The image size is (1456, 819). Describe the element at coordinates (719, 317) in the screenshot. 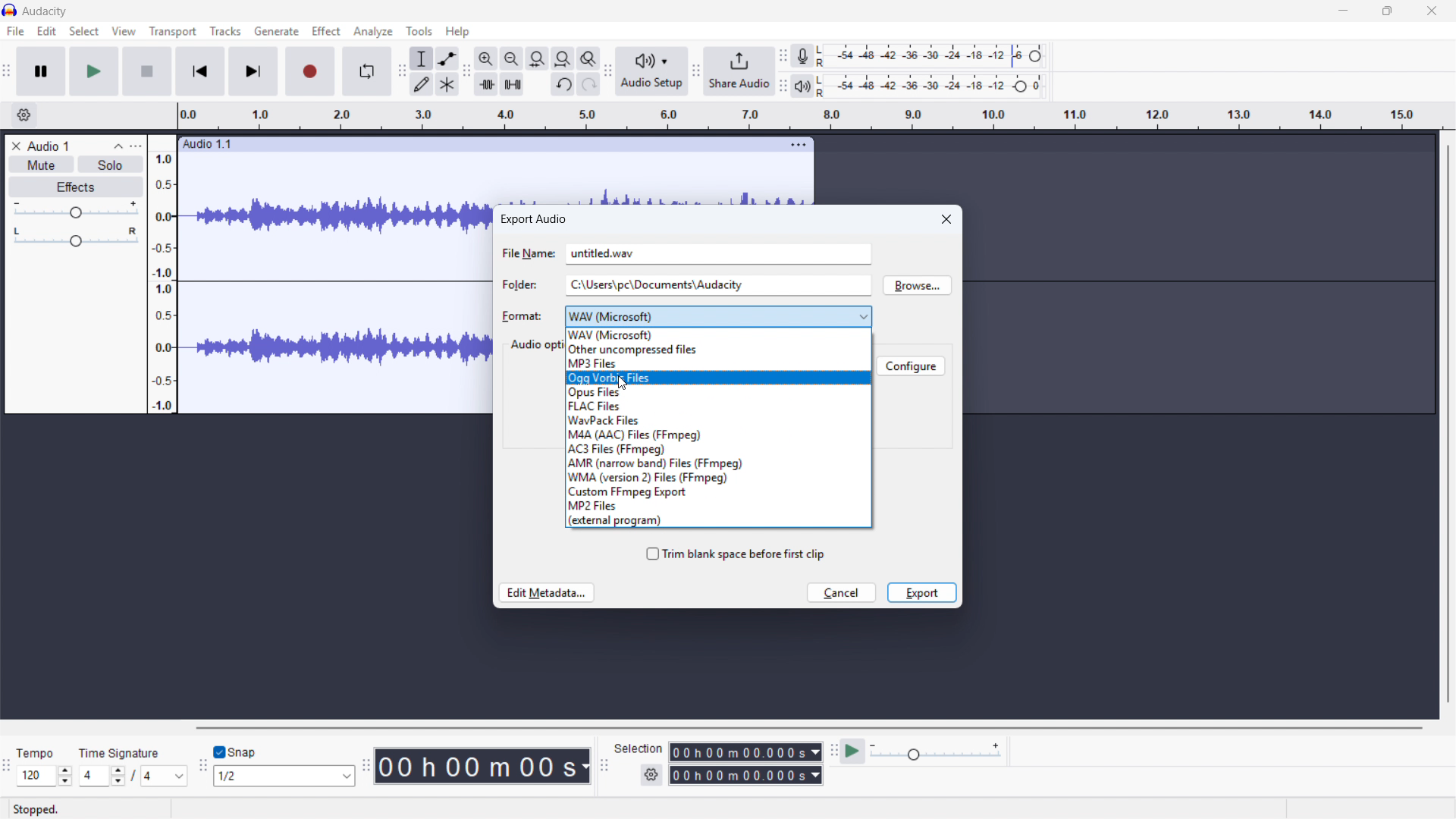

I see `Export format ` at that location.